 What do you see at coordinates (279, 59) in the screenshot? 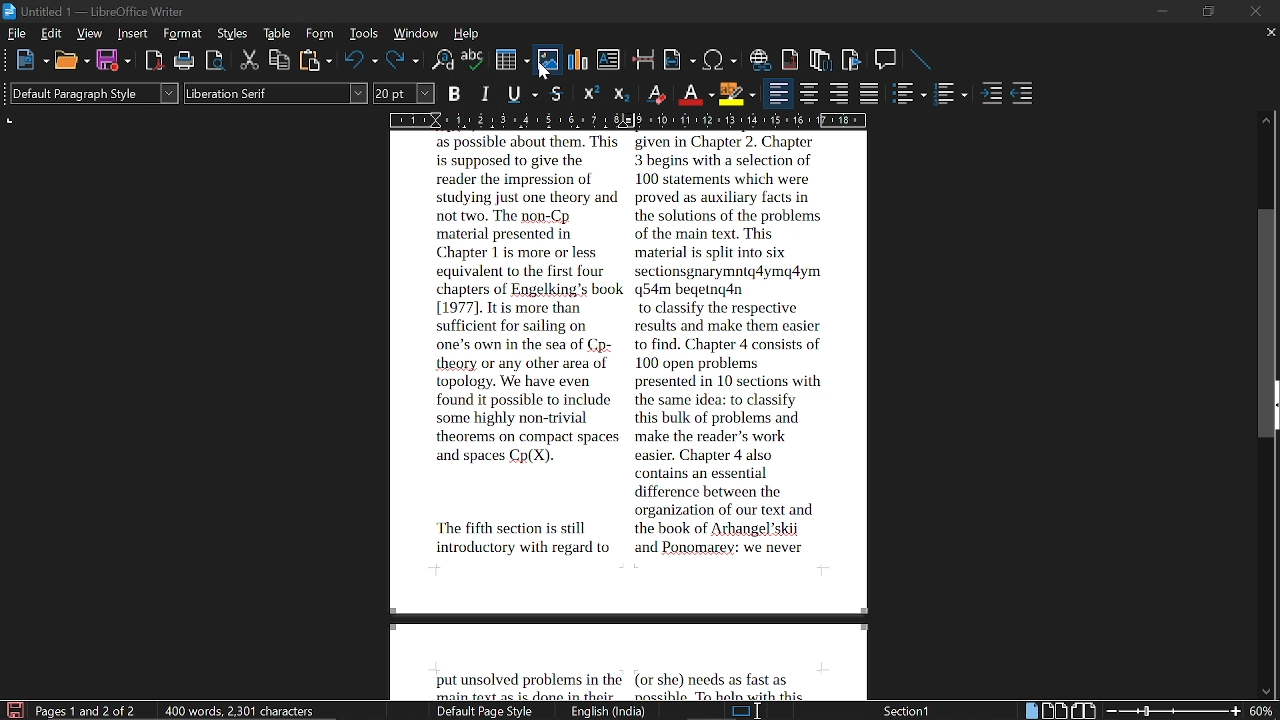
I see `copy` at bounding box center [279, 59].